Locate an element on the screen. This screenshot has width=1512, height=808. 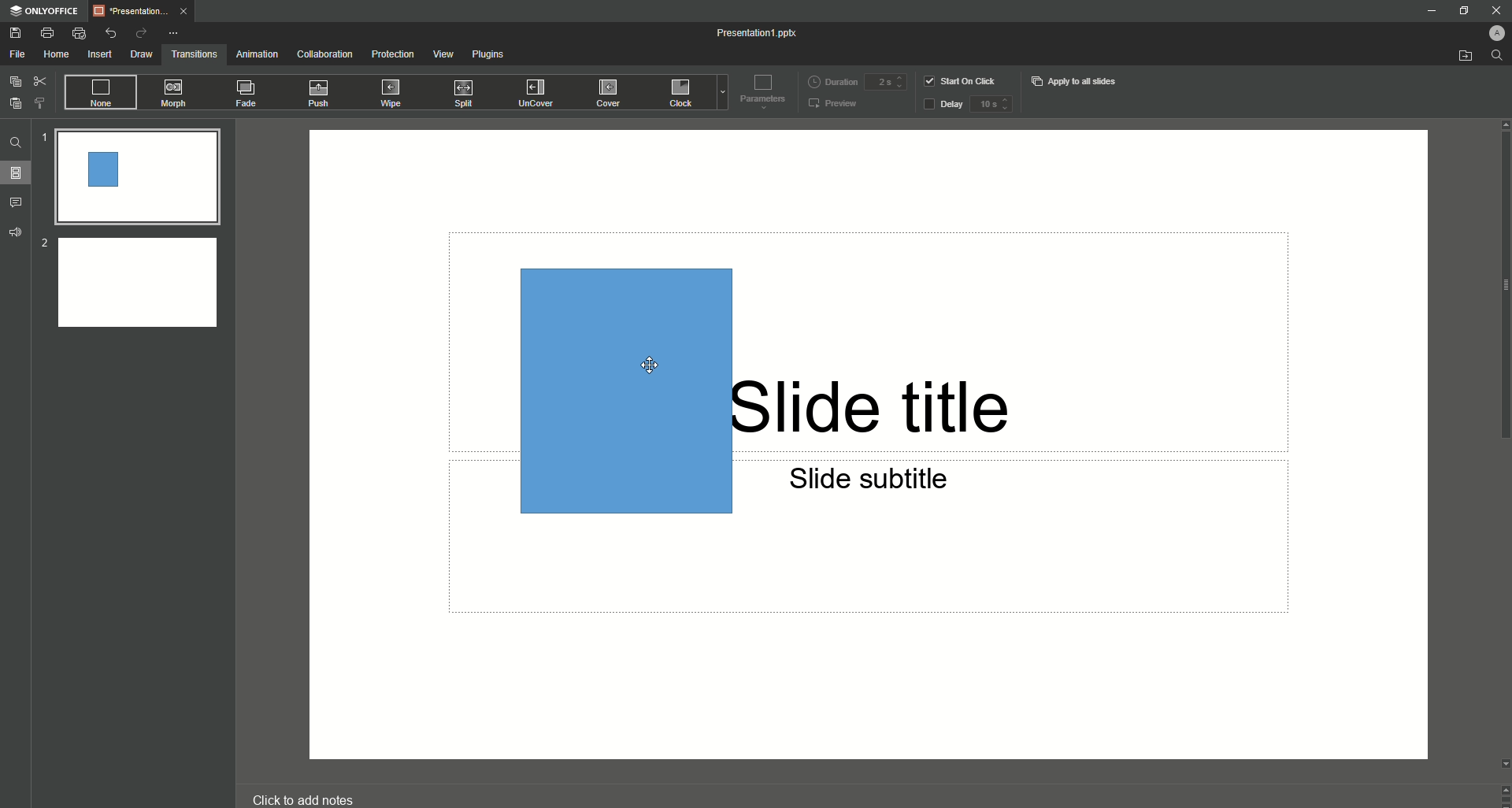
Cut is located at coordinates (43, 80).